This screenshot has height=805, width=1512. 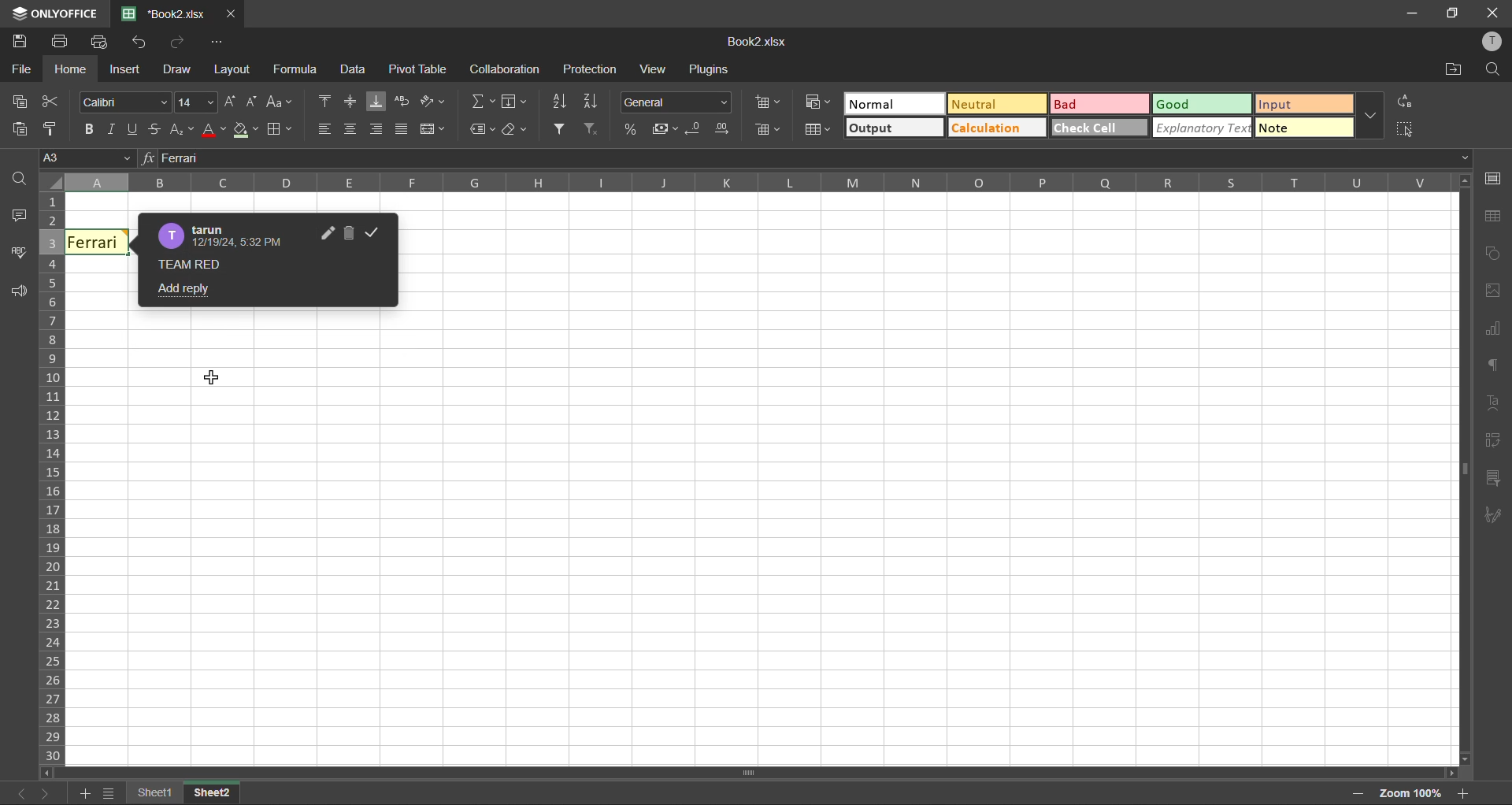 I want to click on find, so click(x=1498, y=69).